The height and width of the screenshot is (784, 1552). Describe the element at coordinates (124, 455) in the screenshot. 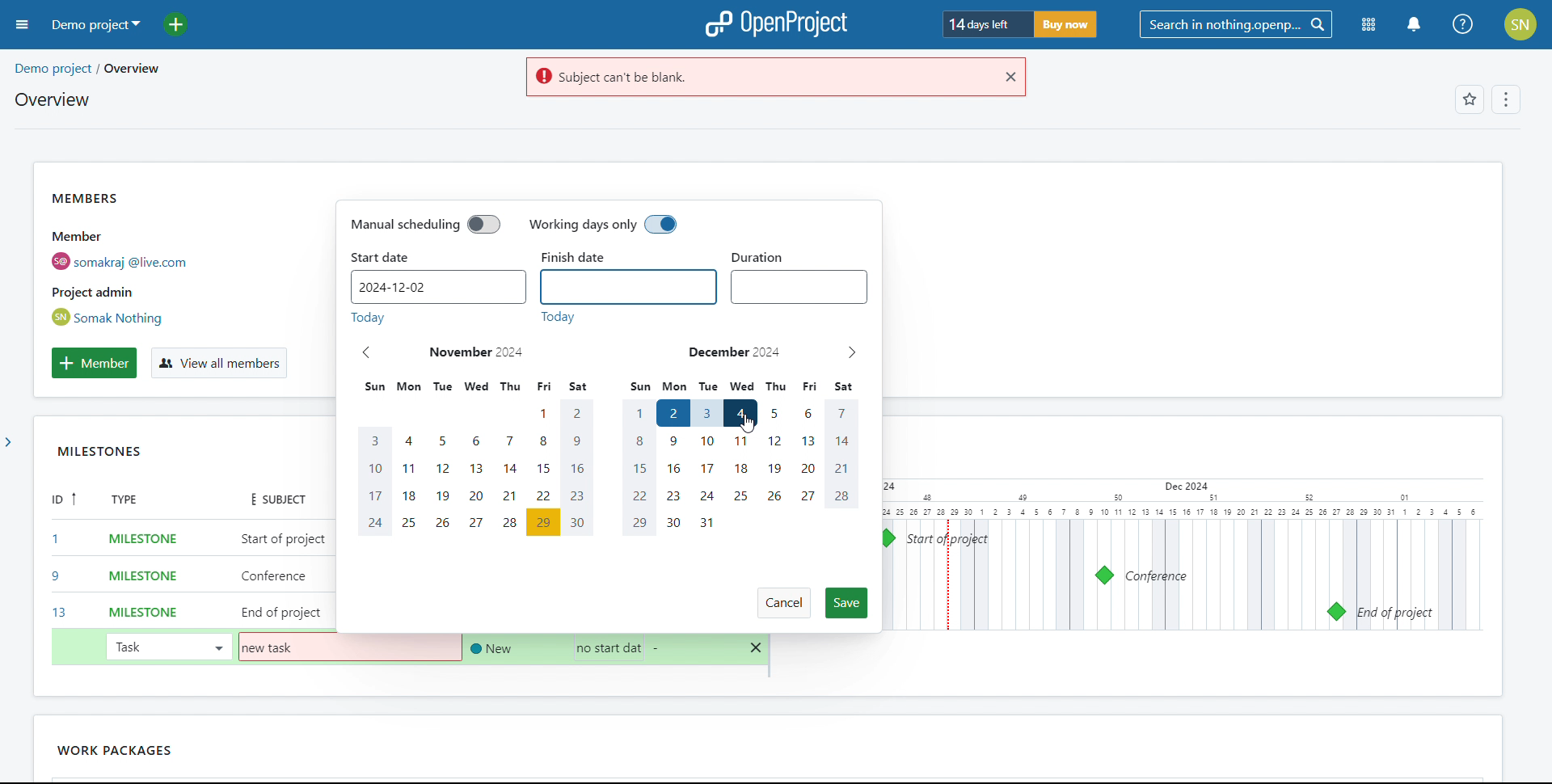

I see `MILESTONES` at that location.